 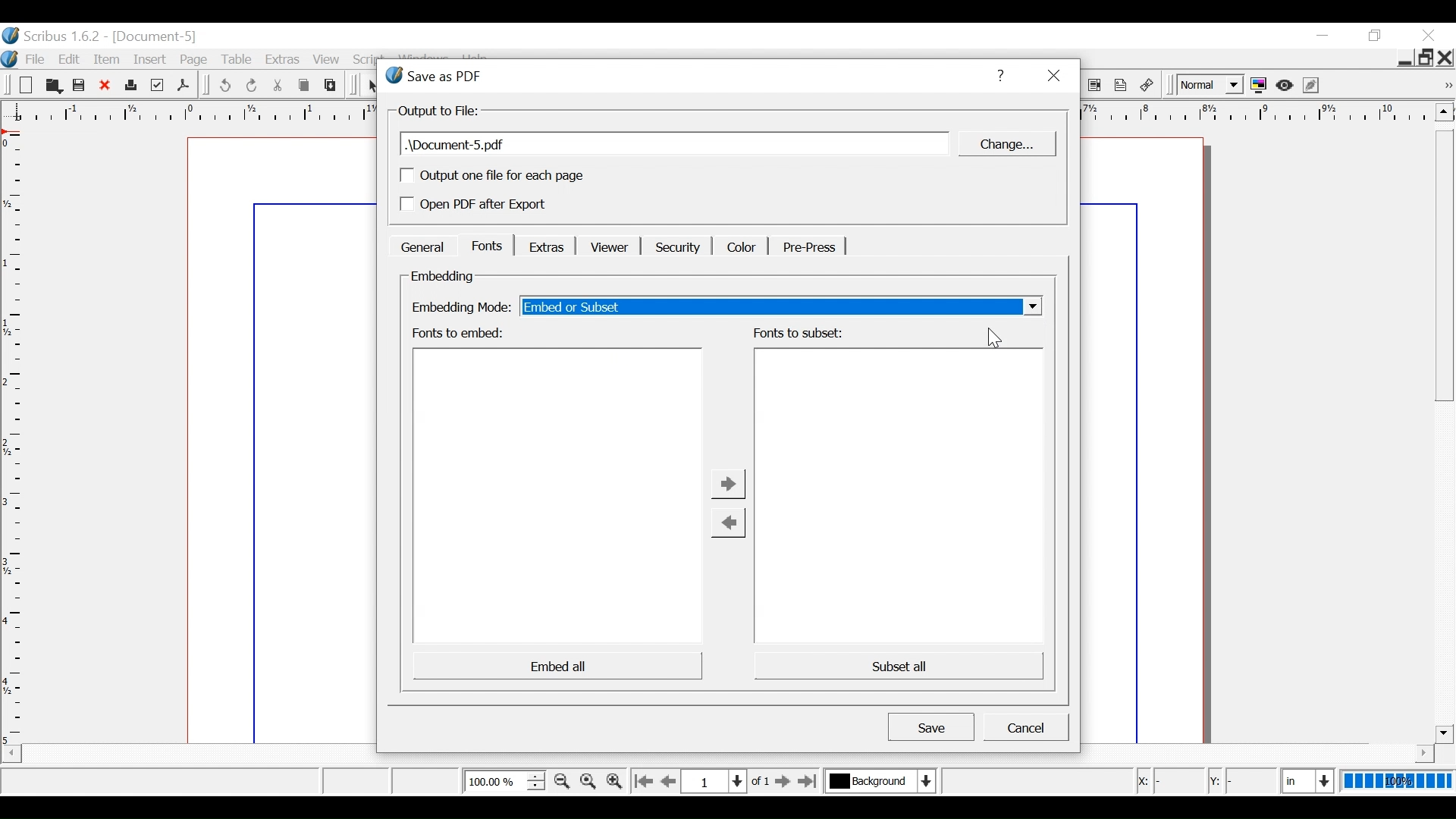 I want to click on Viewer, so click(x=606, y=247).